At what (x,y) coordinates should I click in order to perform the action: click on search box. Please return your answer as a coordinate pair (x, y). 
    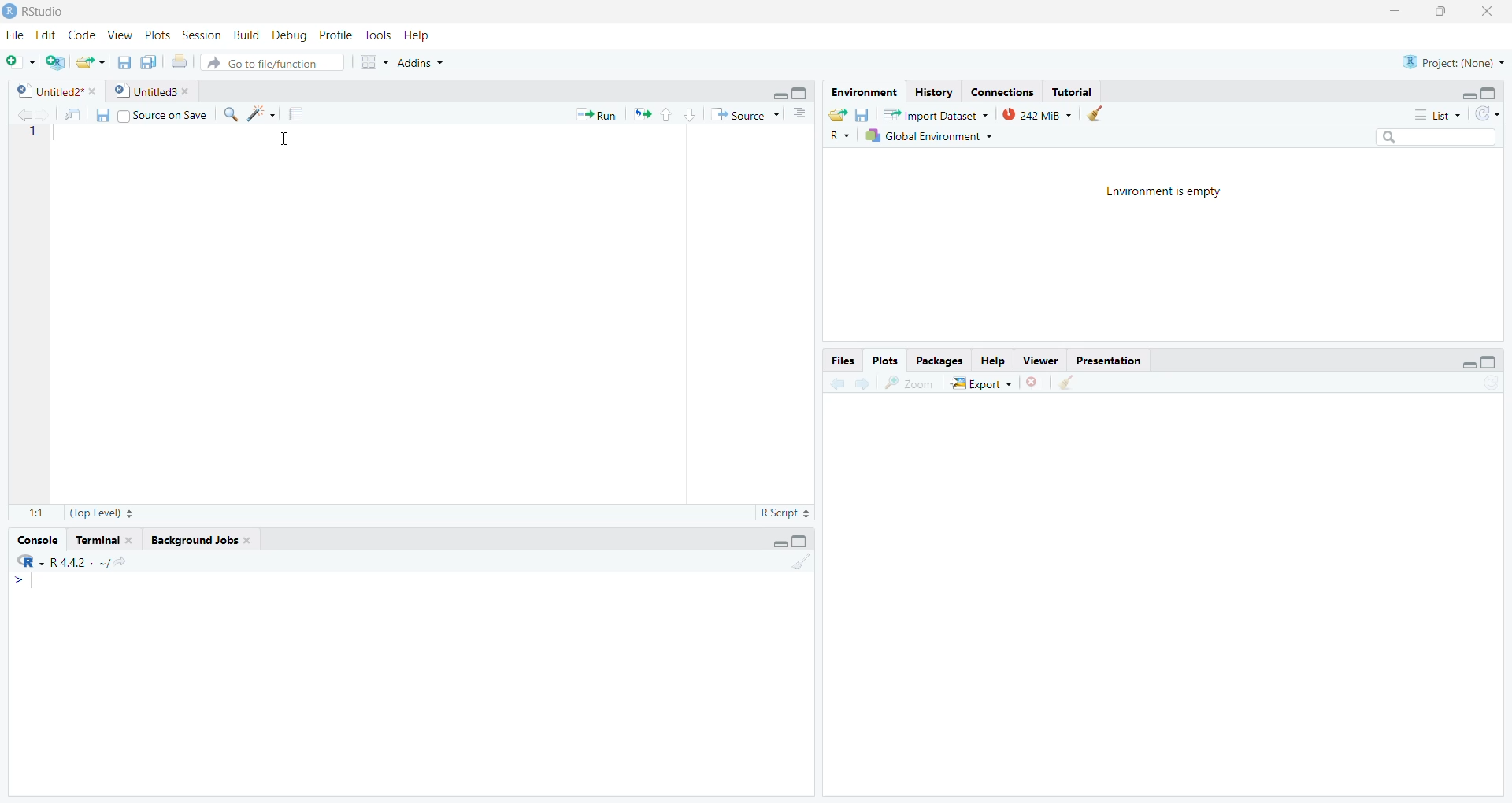
    Looking at the image, I should click on (1434, 136).